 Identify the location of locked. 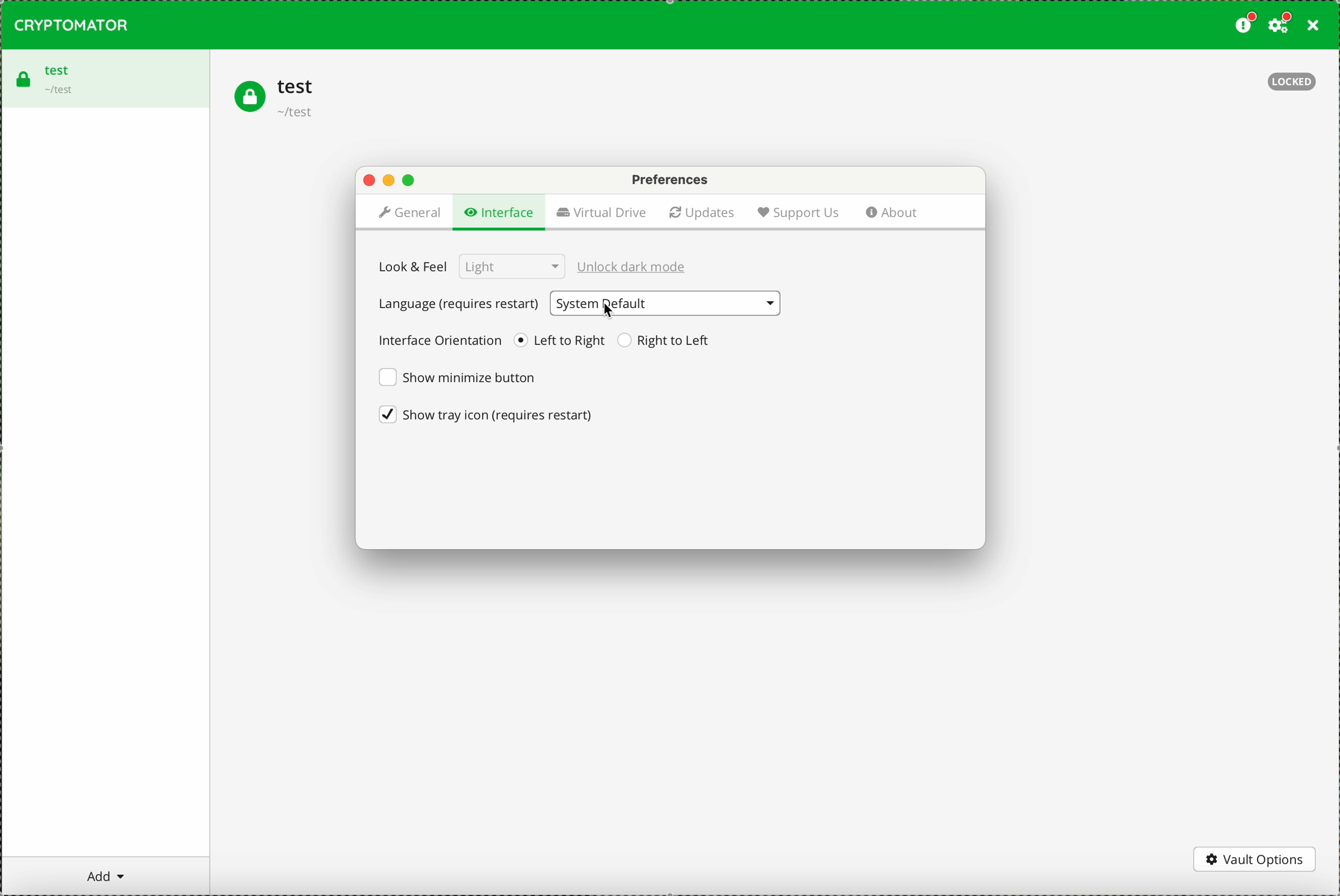
(1292, 82).